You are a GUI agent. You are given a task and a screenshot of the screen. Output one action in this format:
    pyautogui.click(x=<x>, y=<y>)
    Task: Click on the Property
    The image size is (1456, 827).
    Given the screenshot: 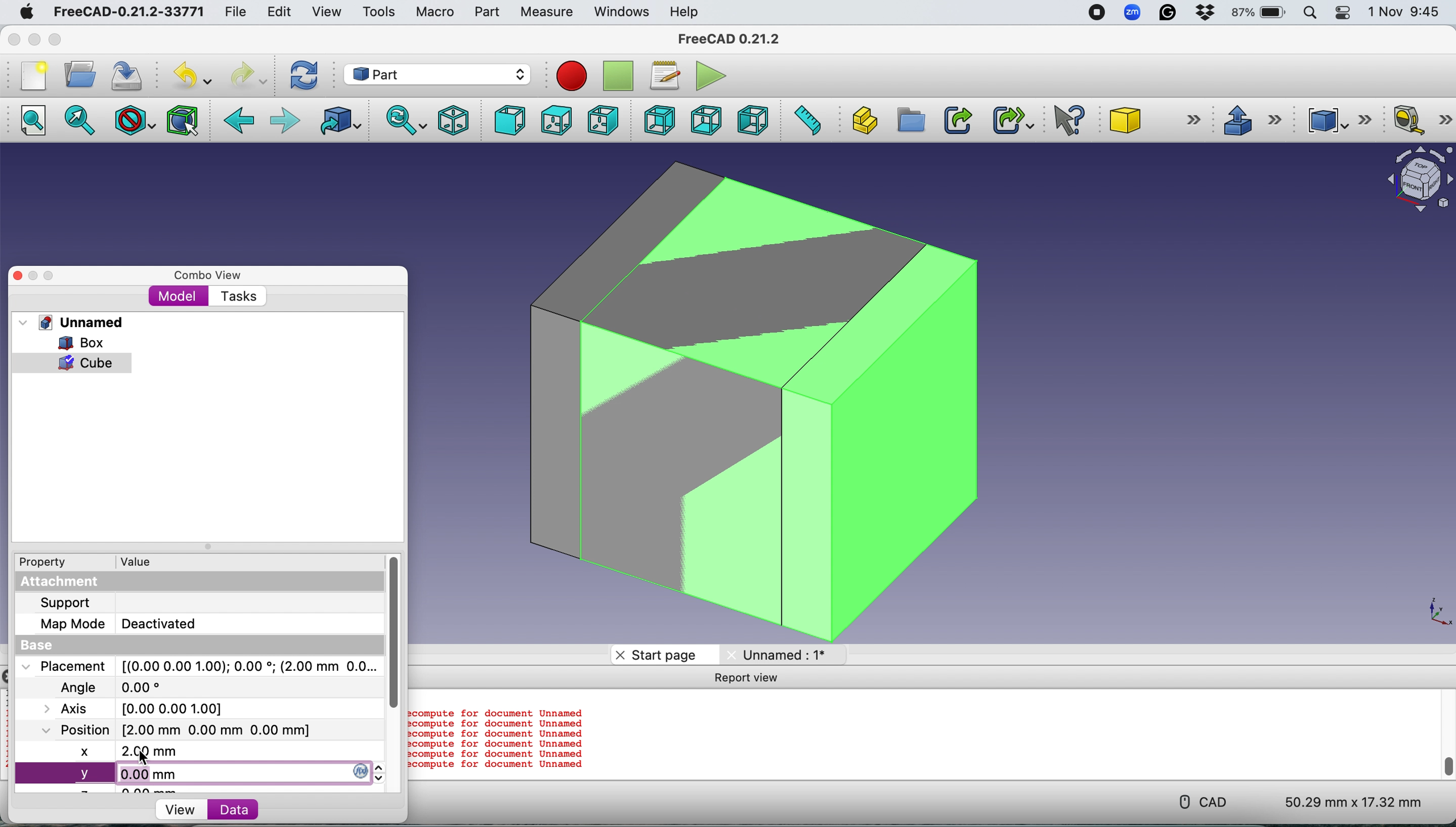 What is the action you would take?
    pyautogui.click(x=37, y=562)
    